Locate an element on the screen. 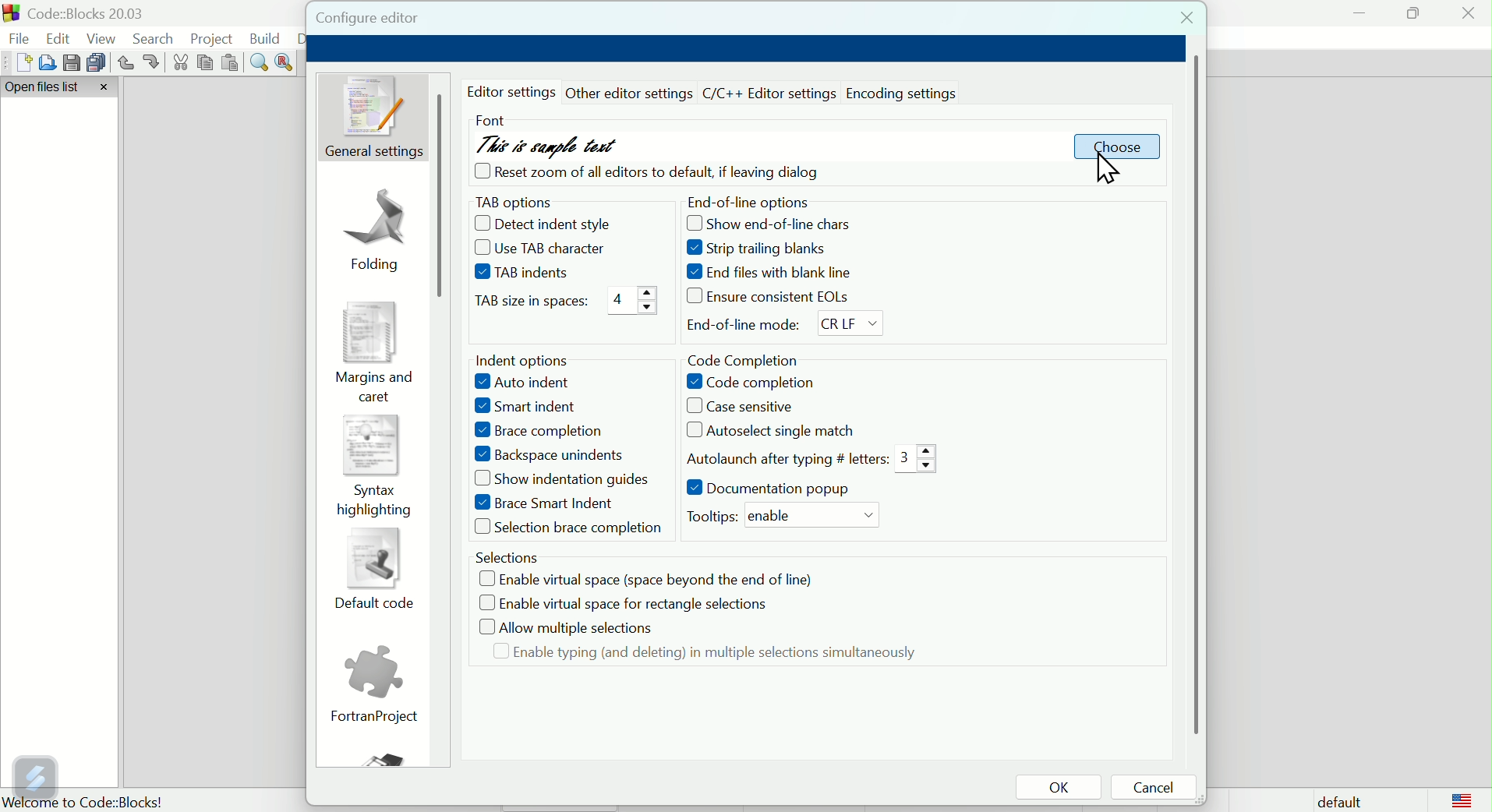  minimise is located at coordinates (1360, 12).